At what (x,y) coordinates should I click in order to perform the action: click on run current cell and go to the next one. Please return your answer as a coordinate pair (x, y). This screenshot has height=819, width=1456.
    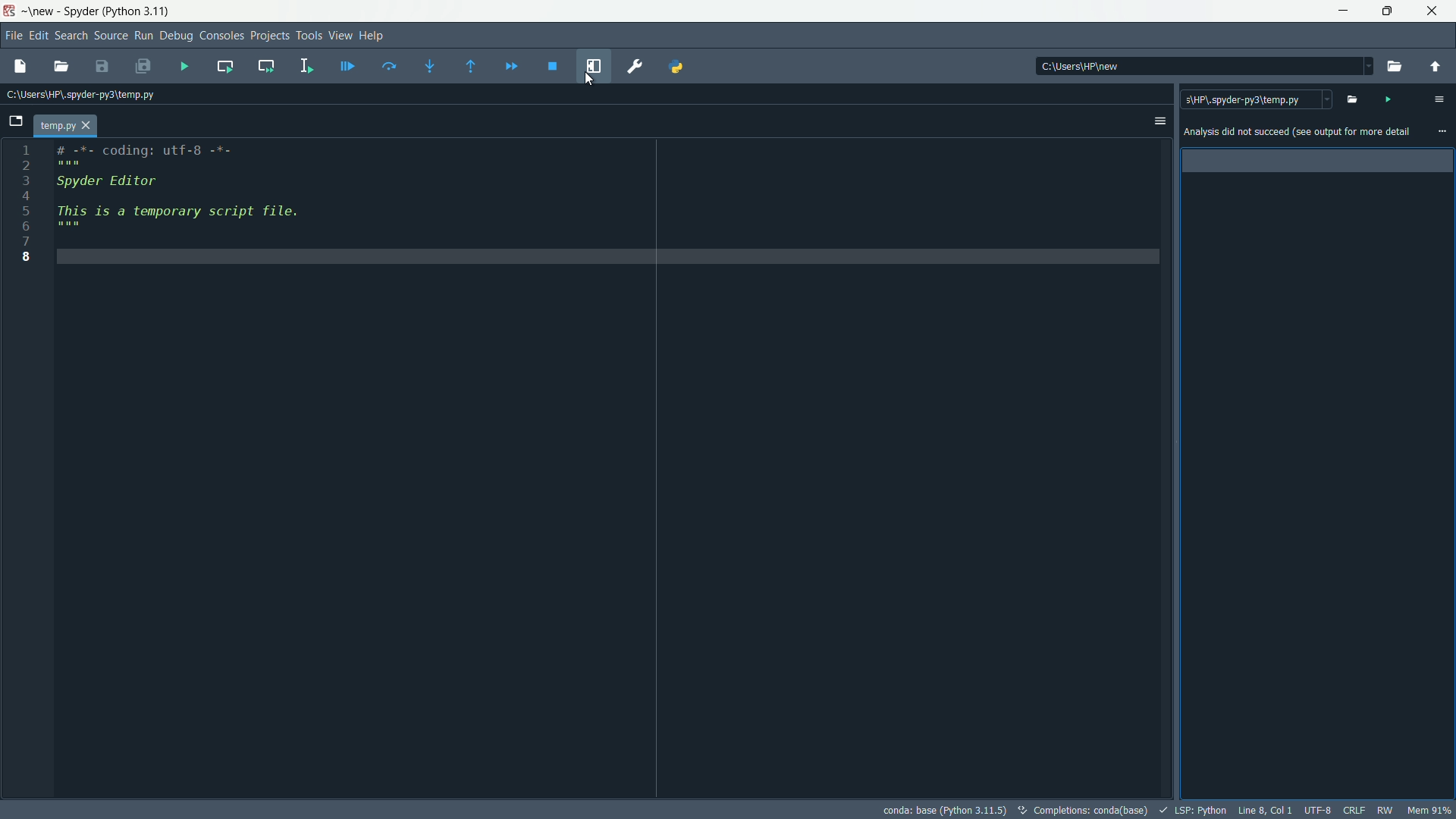
    Looking at the image, I should click on (263, 67).